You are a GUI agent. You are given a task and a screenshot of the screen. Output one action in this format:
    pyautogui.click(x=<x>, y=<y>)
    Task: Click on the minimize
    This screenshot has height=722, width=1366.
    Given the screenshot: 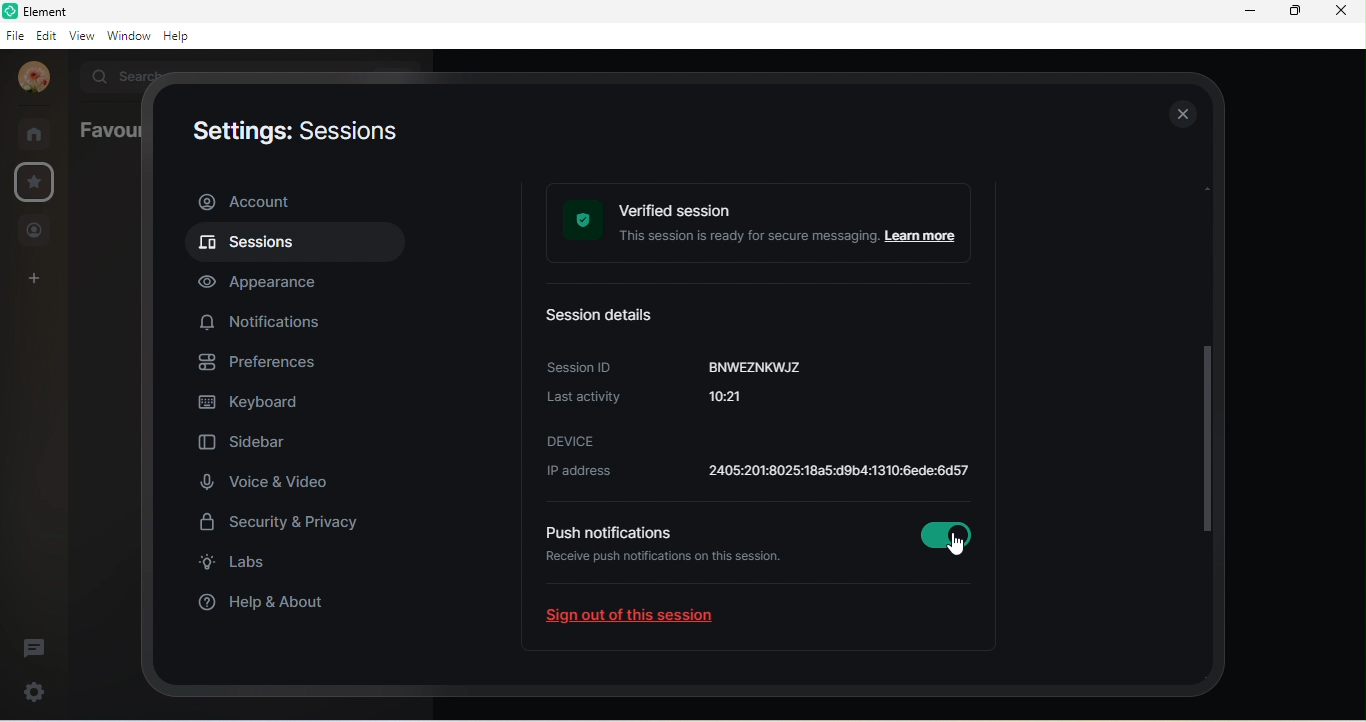 What is the action you would take?
    pyautogui.click(x=1250, y=11)
    